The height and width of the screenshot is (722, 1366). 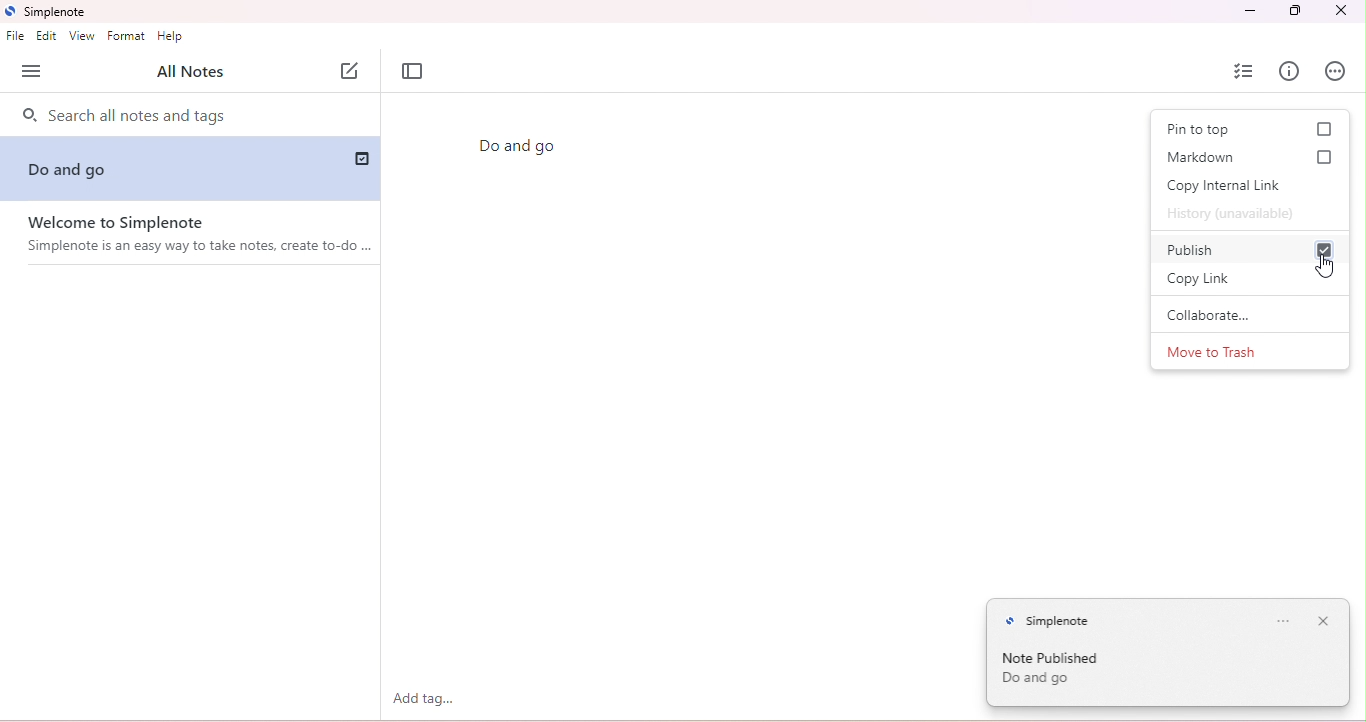 I want to click on file, so click(x=15, y=38).